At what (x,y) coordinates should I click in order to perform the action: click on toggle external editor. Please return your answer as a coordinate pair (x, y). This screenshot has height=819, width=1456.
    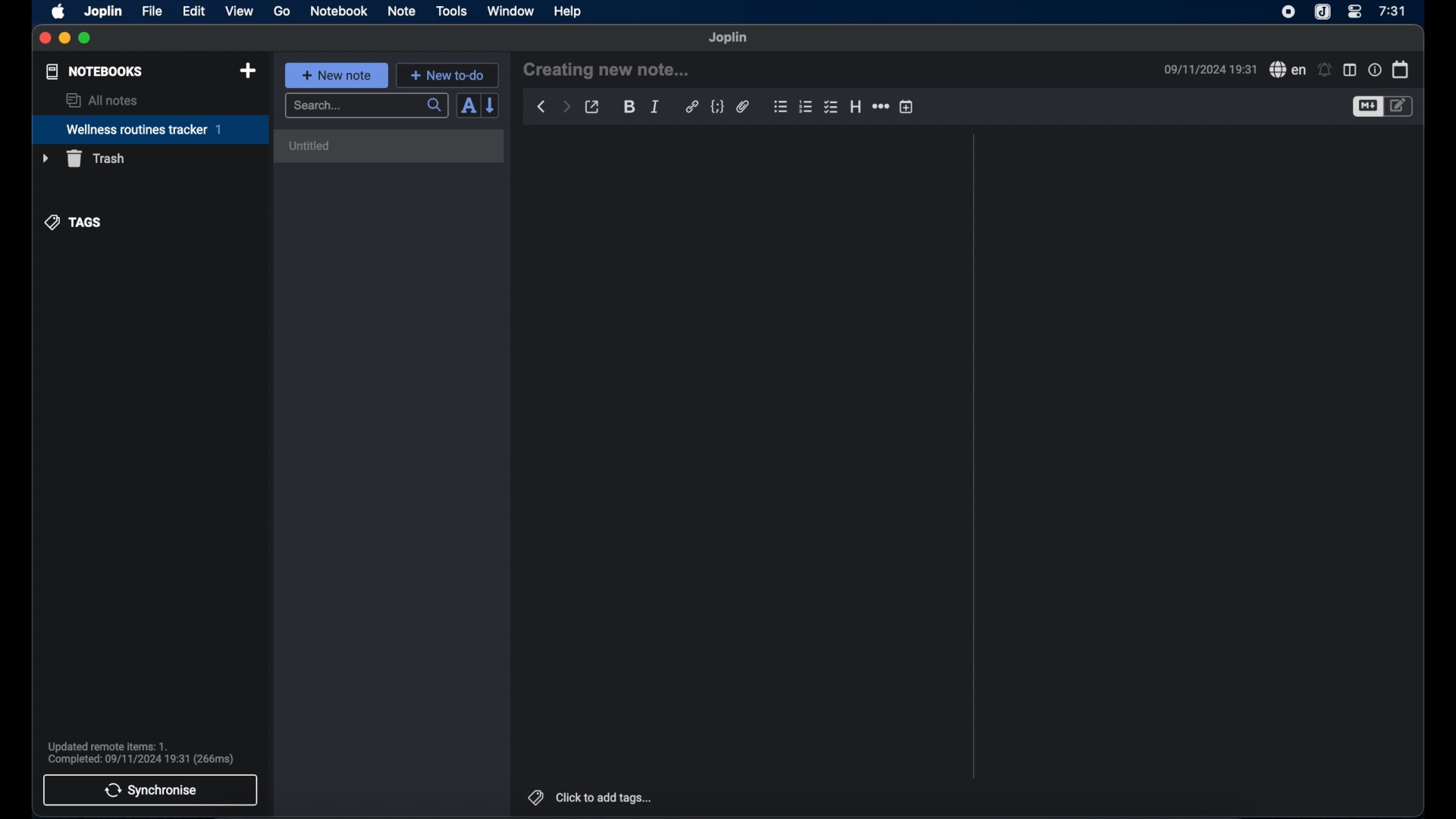
    Looking at the image, I should click on (592, 106).